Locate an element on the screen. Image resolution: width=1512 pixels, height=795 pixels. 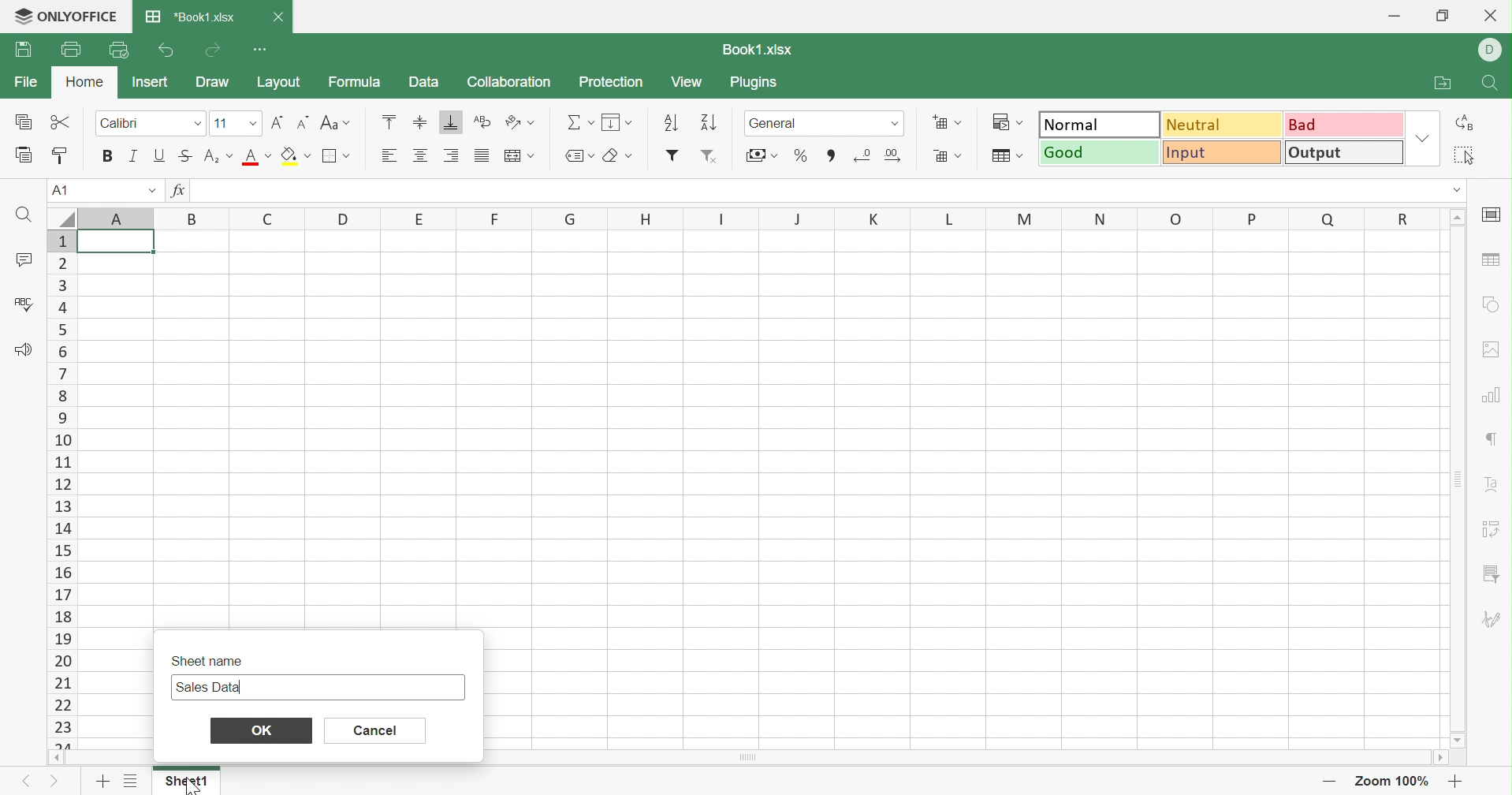
Italic is located at coordinates (133, 155).